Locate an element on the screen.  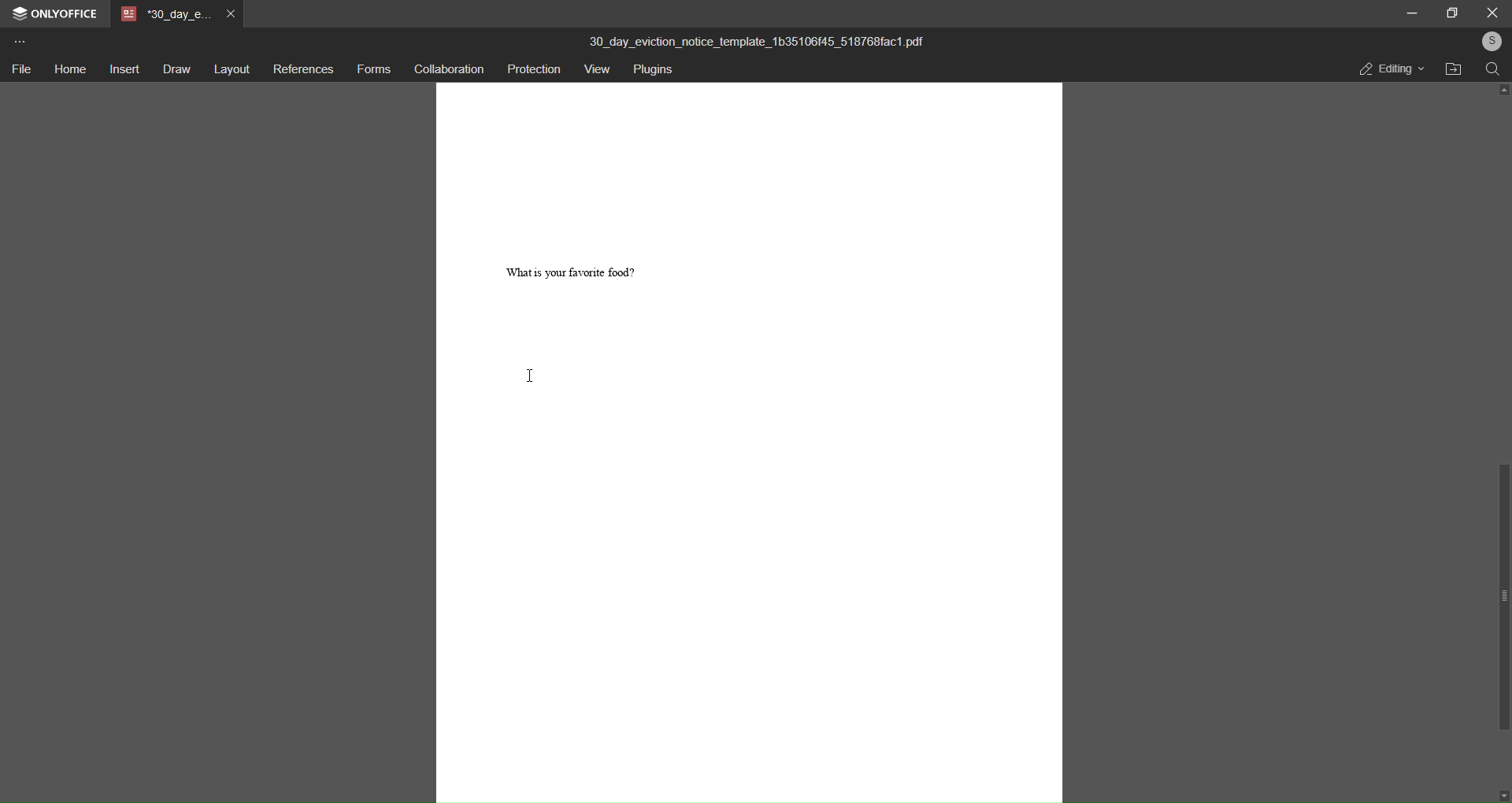
layout is located at coordinates (229, 68).